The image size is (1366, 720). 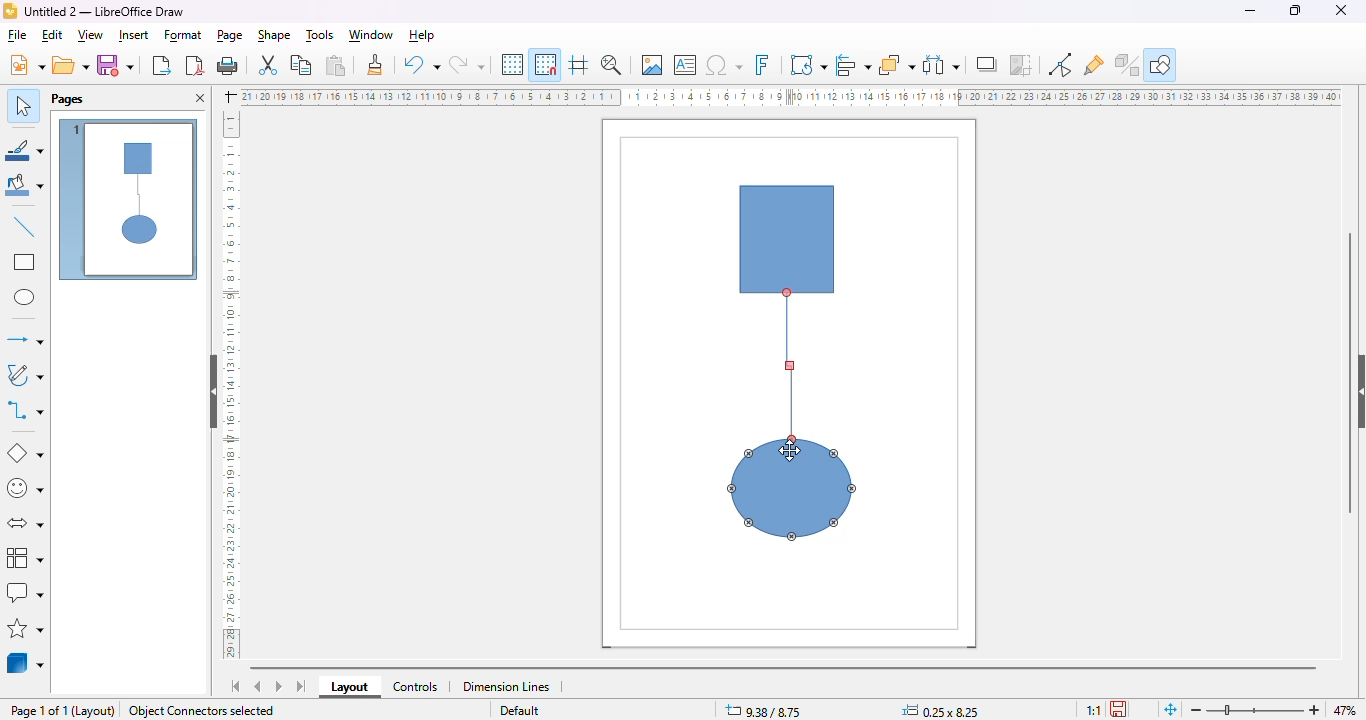 I want to click on insert image, so click(x=652, y=64).